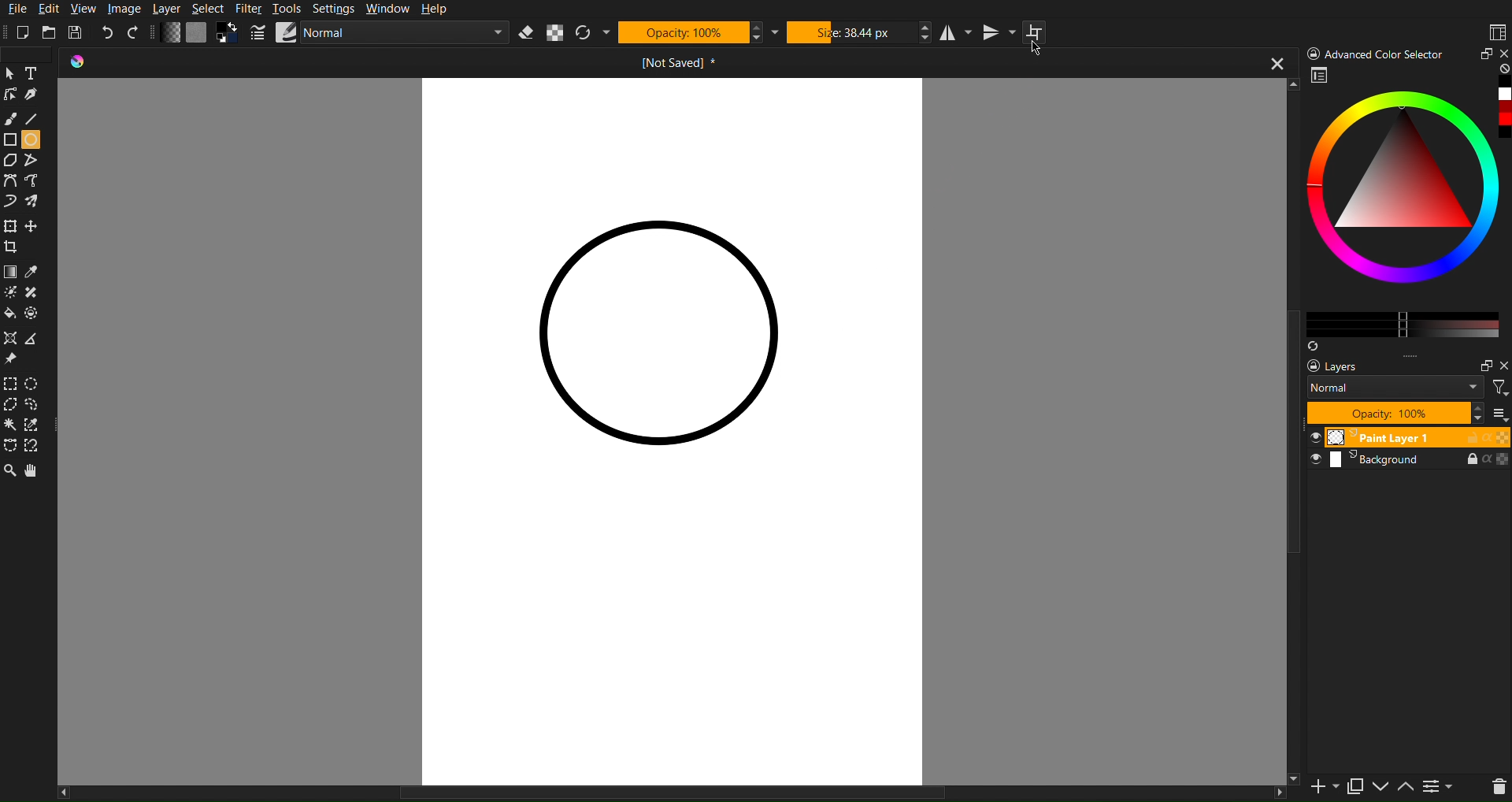  I want to click on Current Document, so click(629, 65).